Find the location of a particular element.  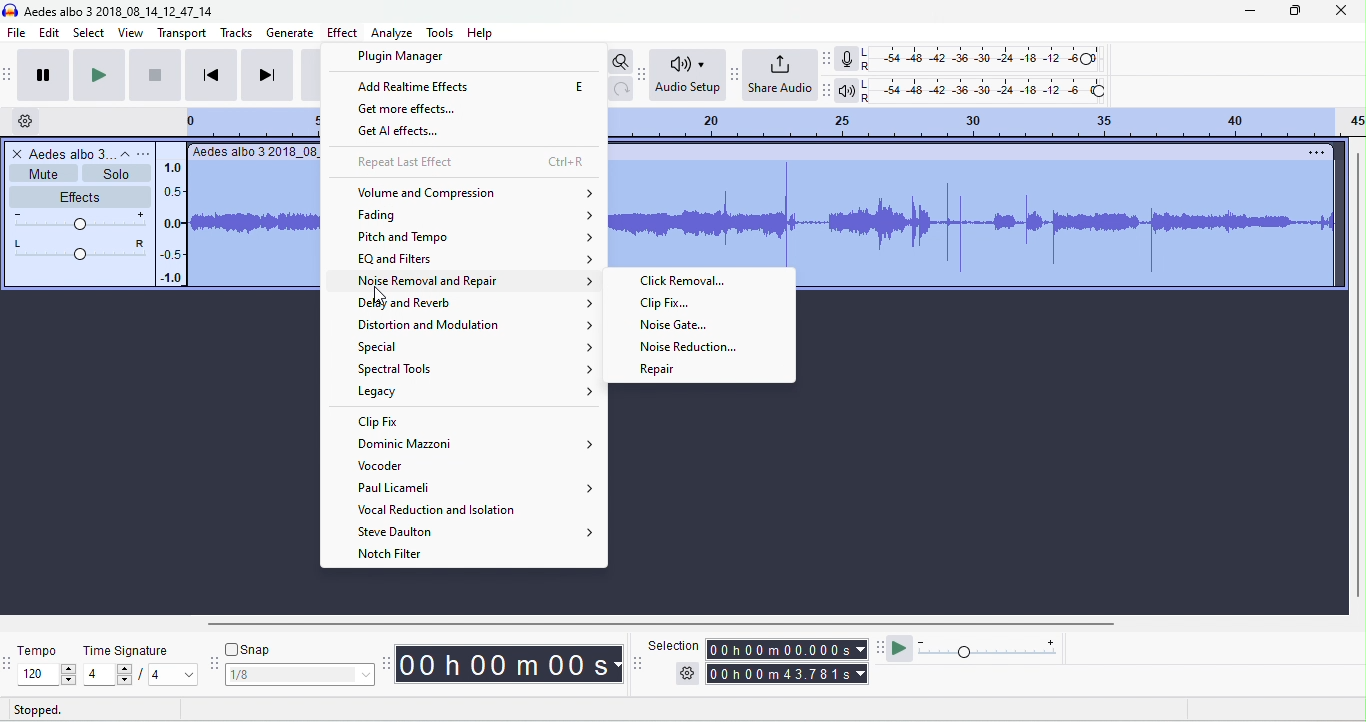

clip fix is located at coordinates (380, 421).